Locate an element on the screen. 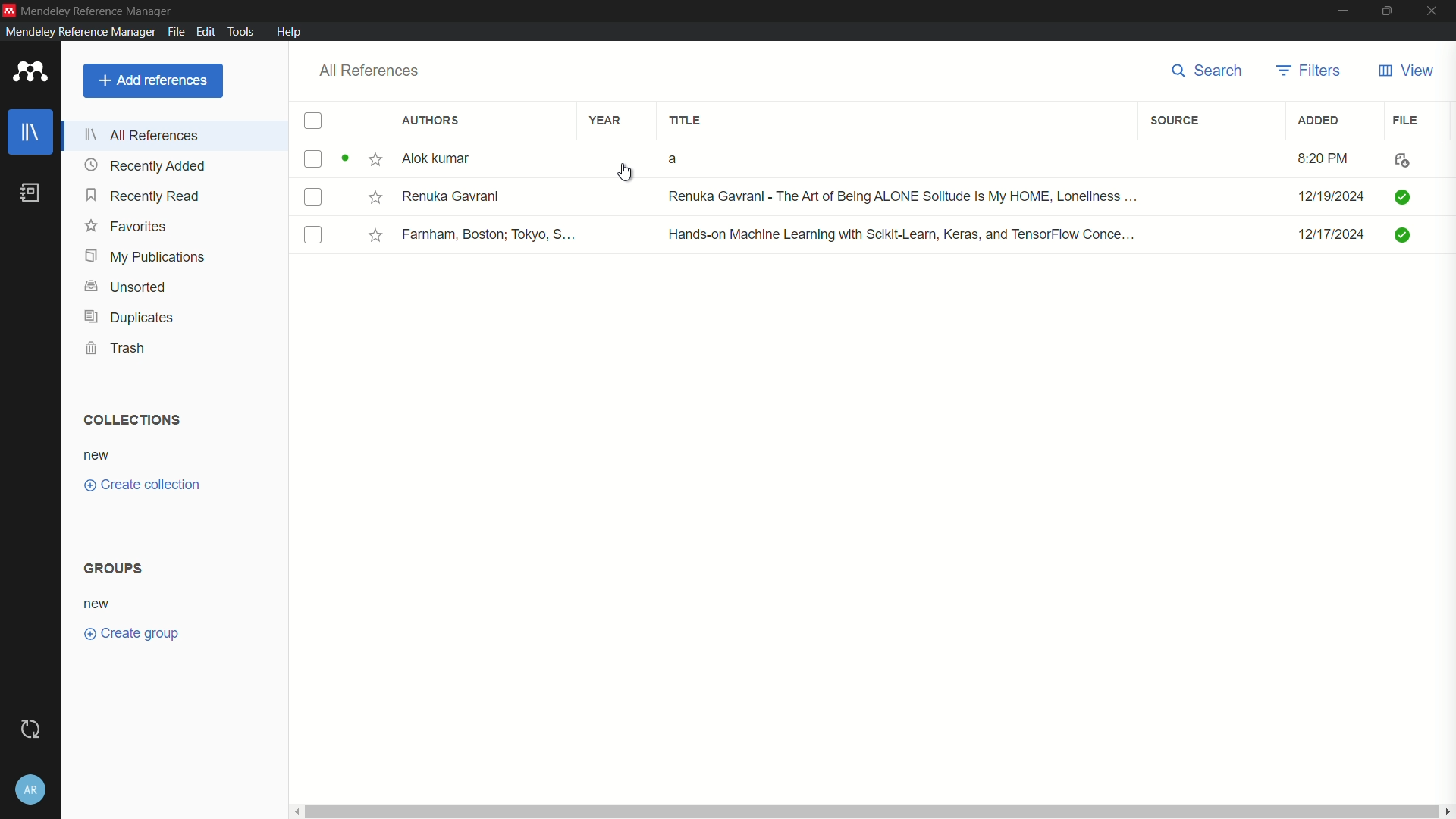 The width and height of the screenshot is (1456, 819). trash is located at coordinates (117, 347).